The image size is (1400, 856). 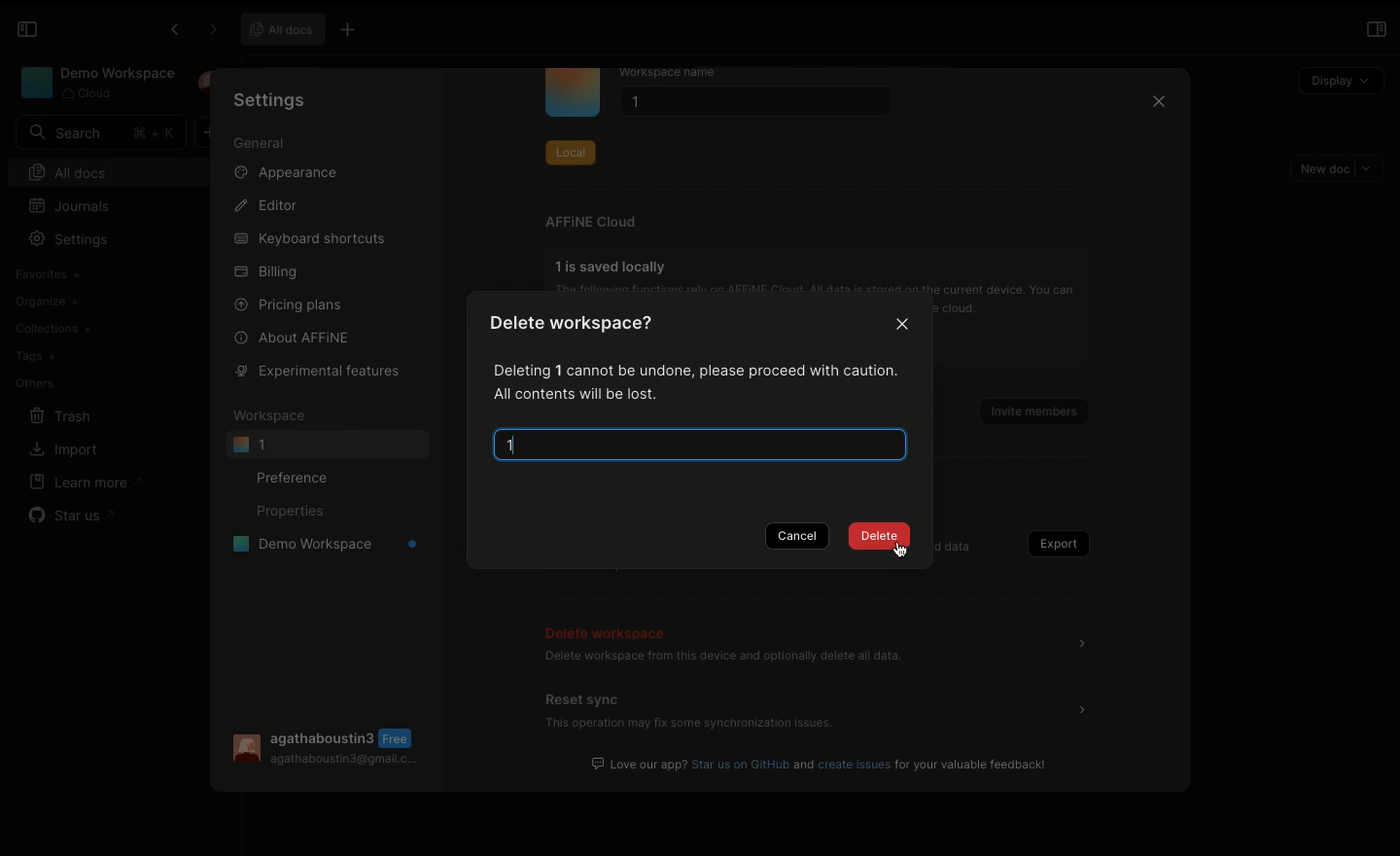 I want to click on Local, so click(x=570, y=149).